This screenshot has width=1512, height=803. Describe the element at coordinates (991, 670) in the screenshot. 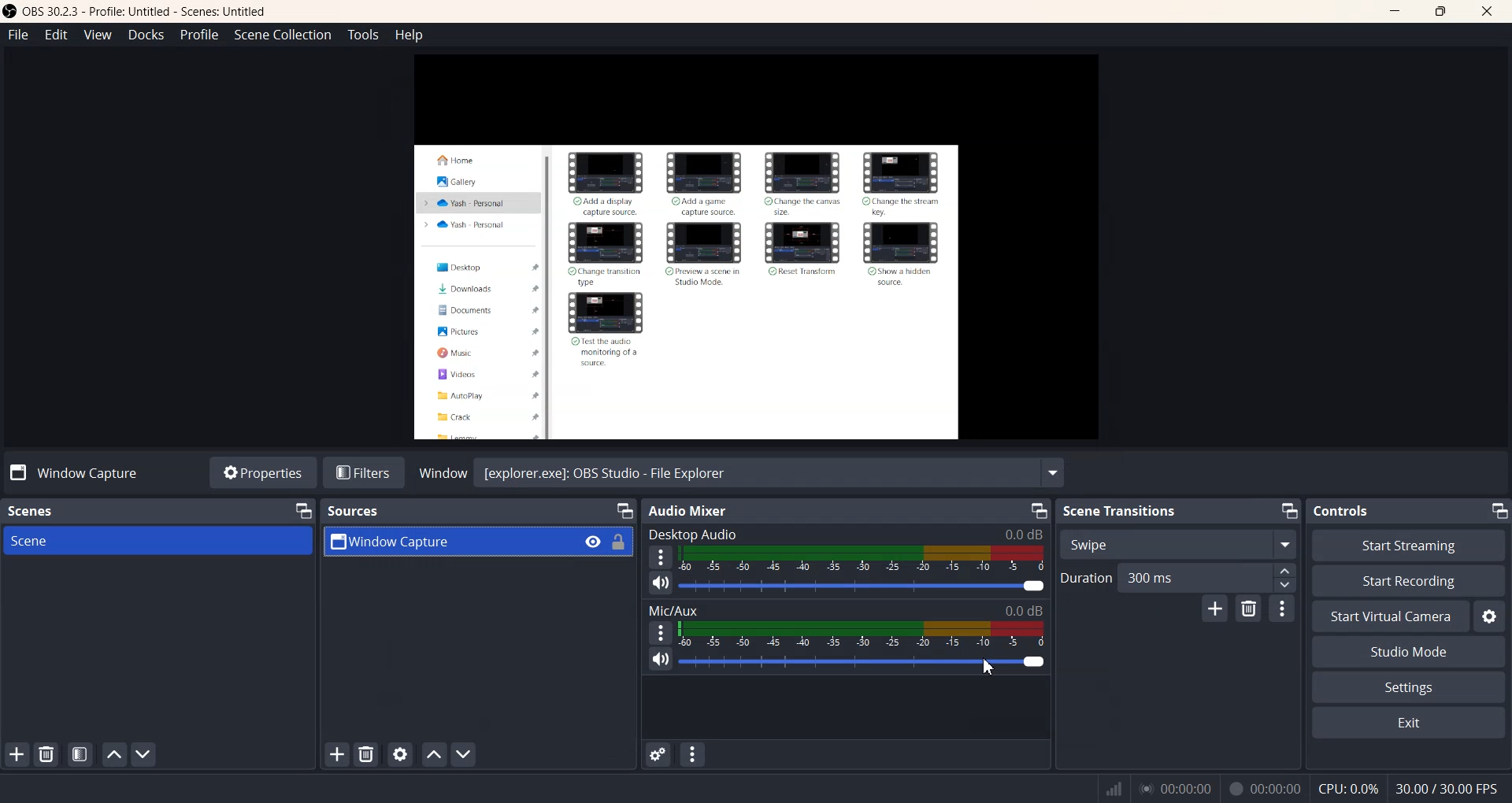

I see `Cursor` at that location.